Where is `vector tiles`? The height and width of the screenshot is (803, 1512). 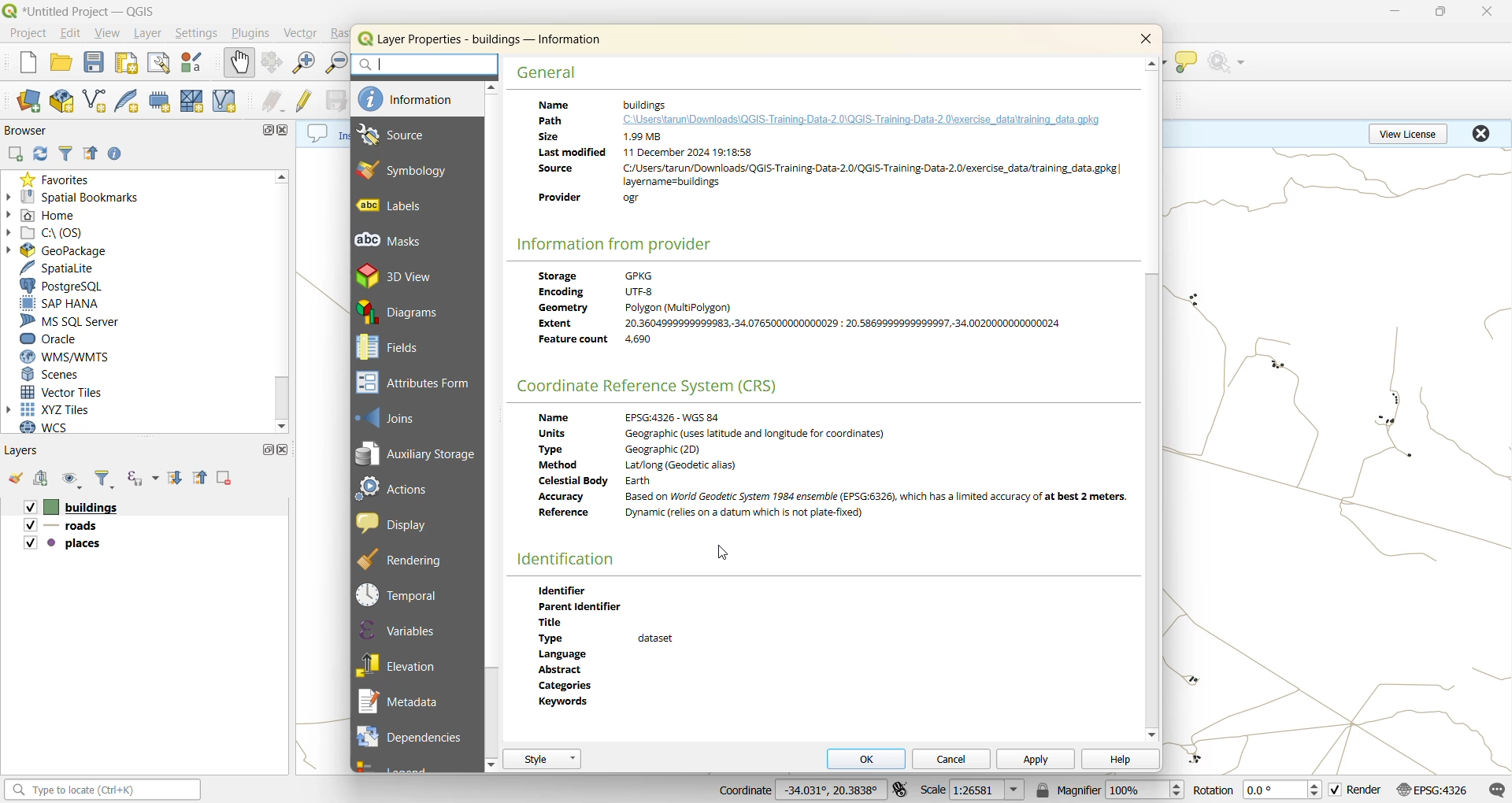 vector tiles is located at coordinates (67, 392).